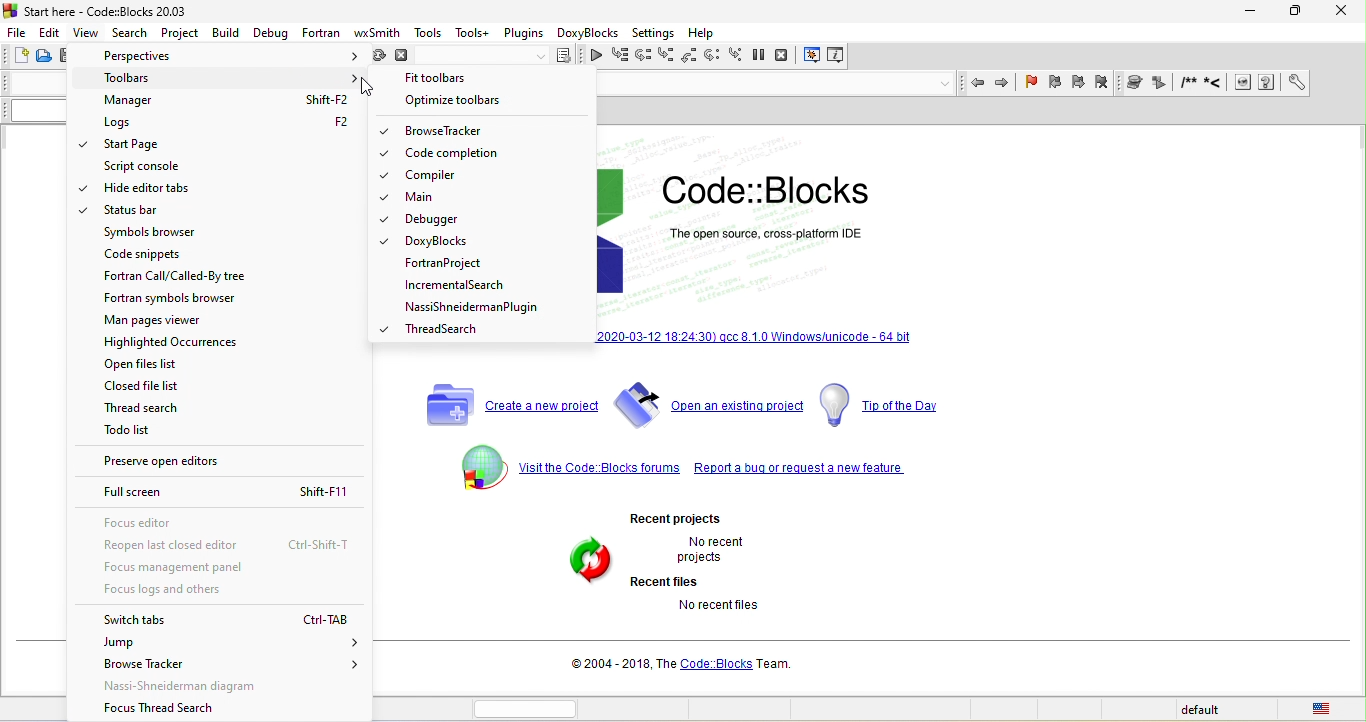 This screenshot has height=722, width=1366. Describe the element at coordinates (227, 546) in the screenshot. I see `reopen last closed editor` at that location.